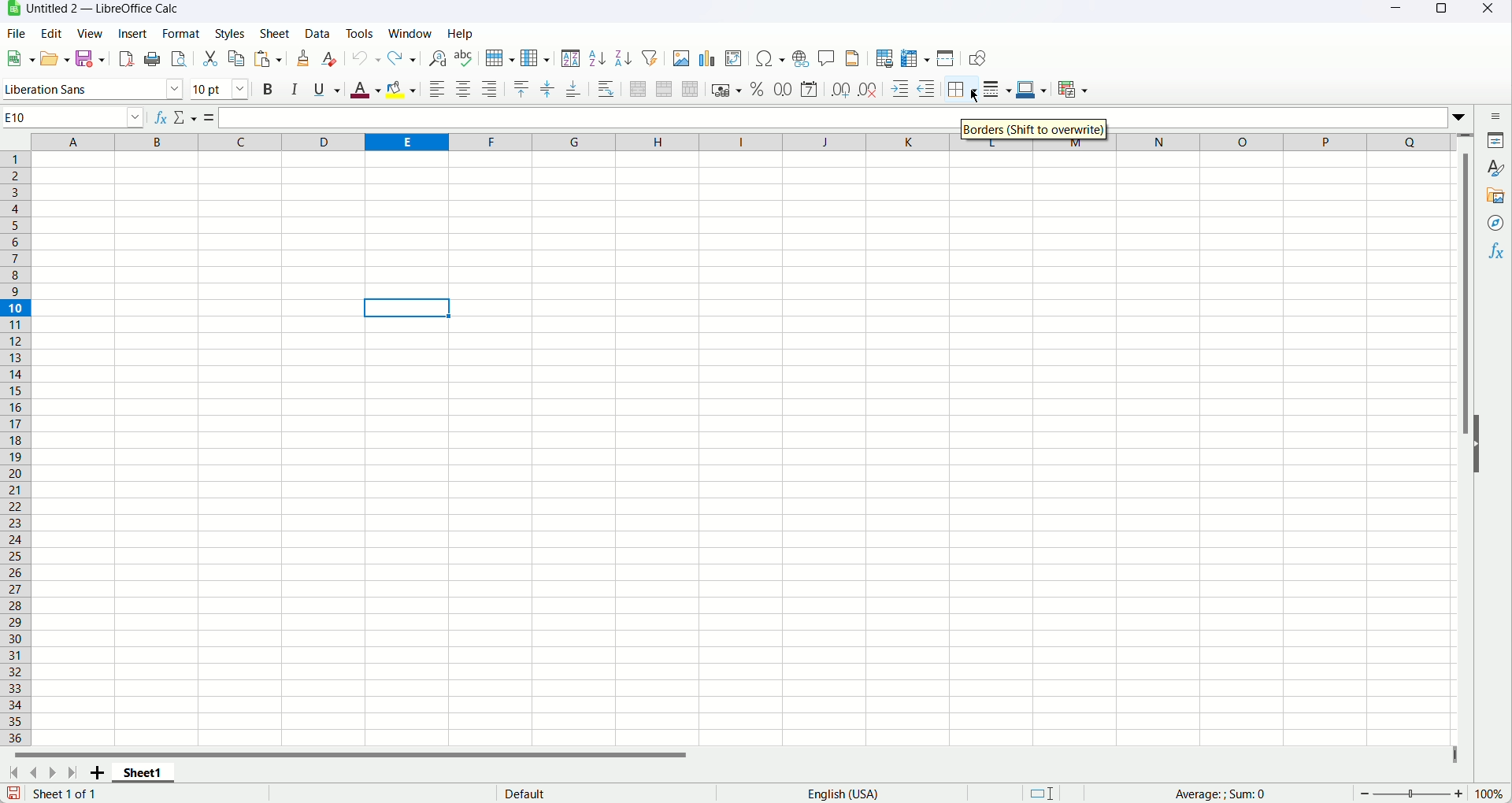 The image size is (1512, 803). I want to click on Sidebar settings, so click(1495, 115).